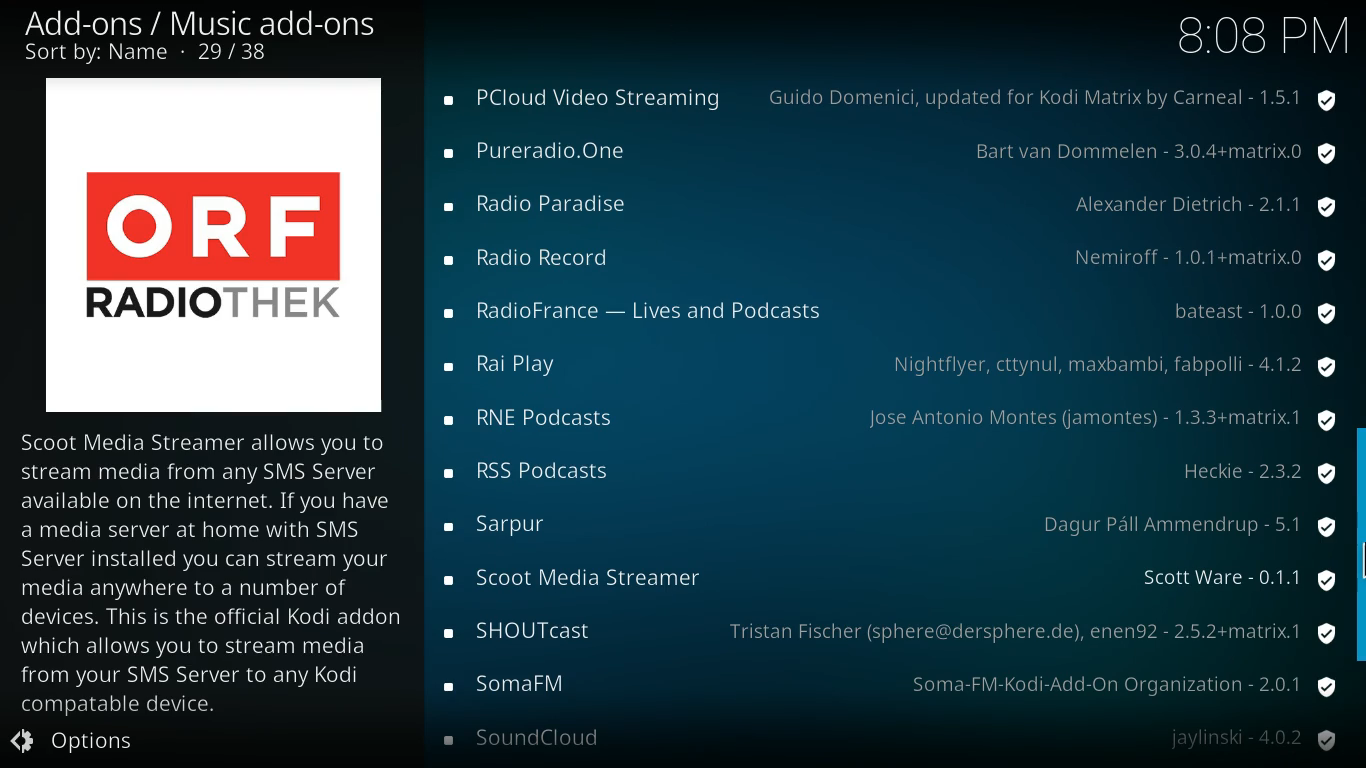  Describe the element at coordinates (1112, 364) in the screenshot. I see `provider` at that location.